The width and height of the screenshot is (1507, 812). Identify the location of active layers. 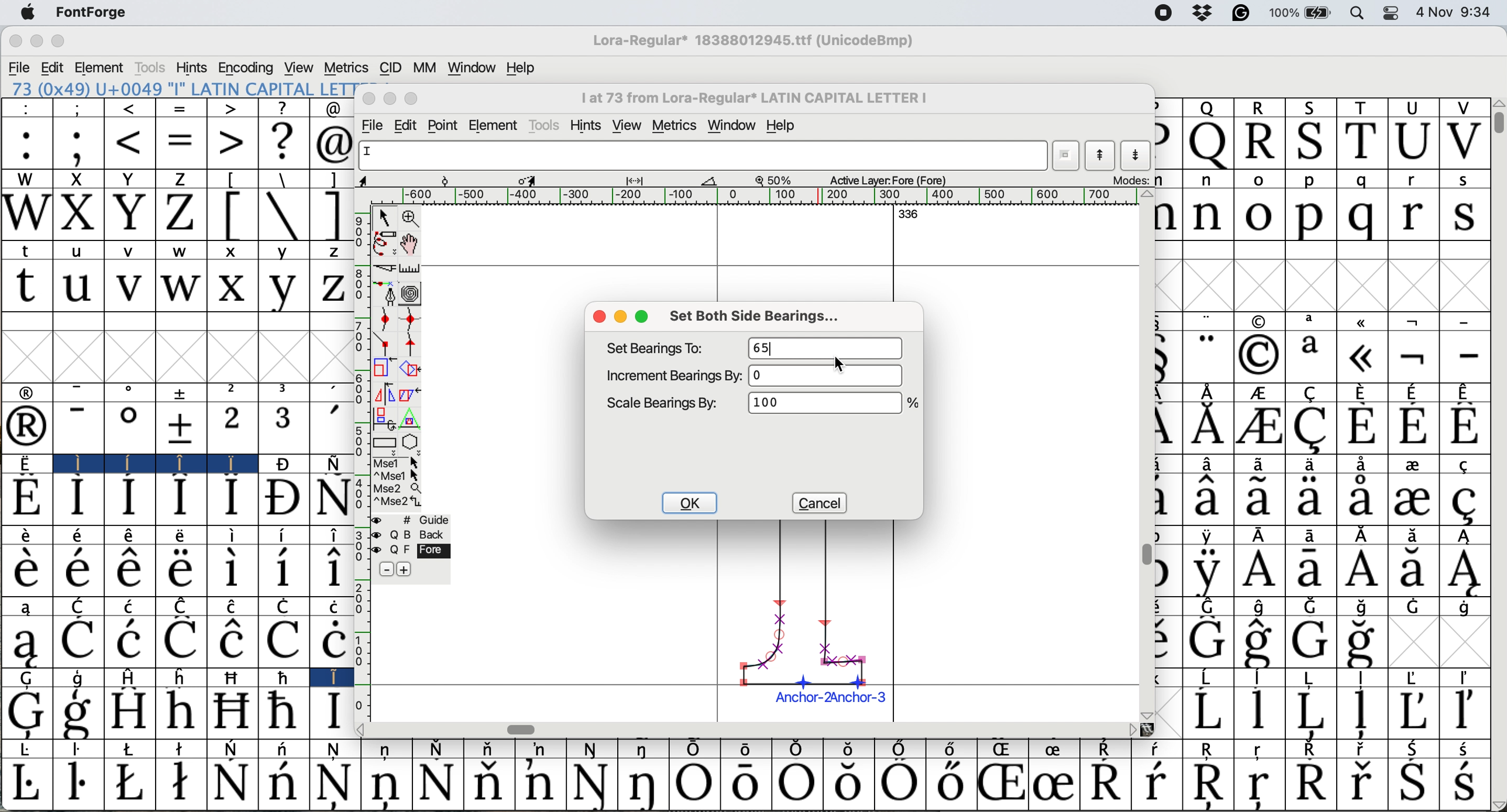
(891, 178).